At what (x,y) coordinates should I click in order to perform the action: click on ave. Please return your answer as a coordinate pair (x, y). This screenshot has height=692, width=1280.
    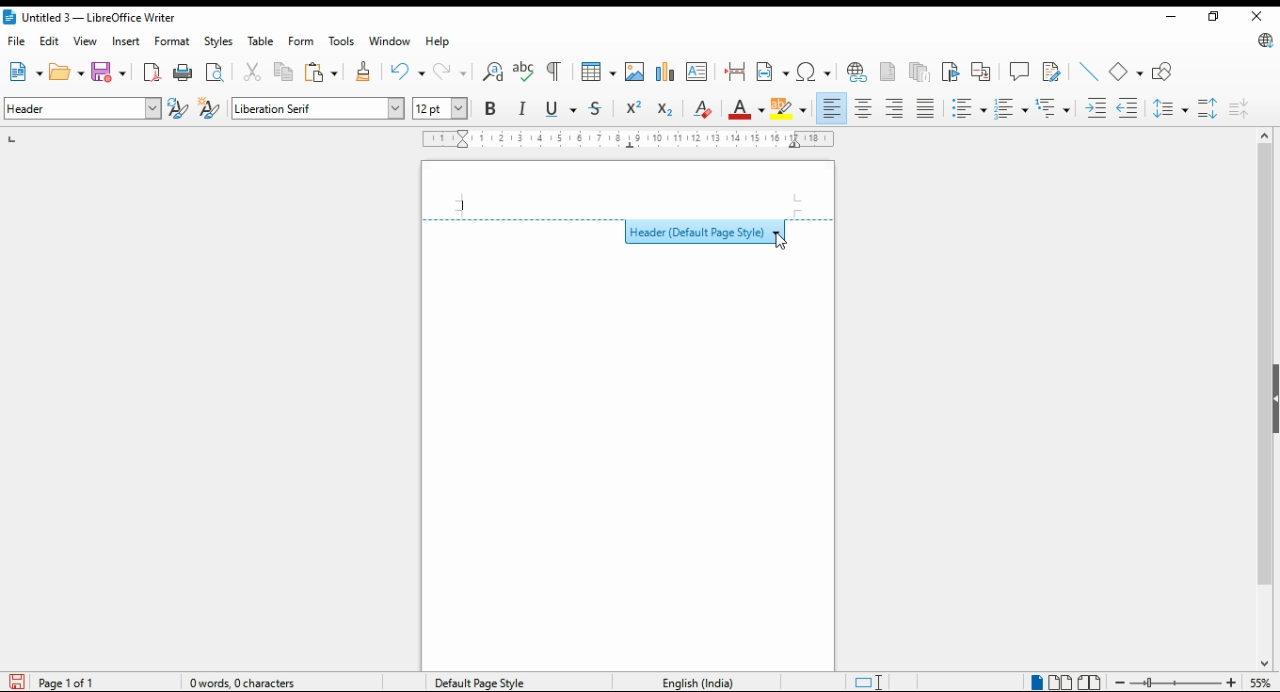
    Looking at the image, I should click on (111, 71).